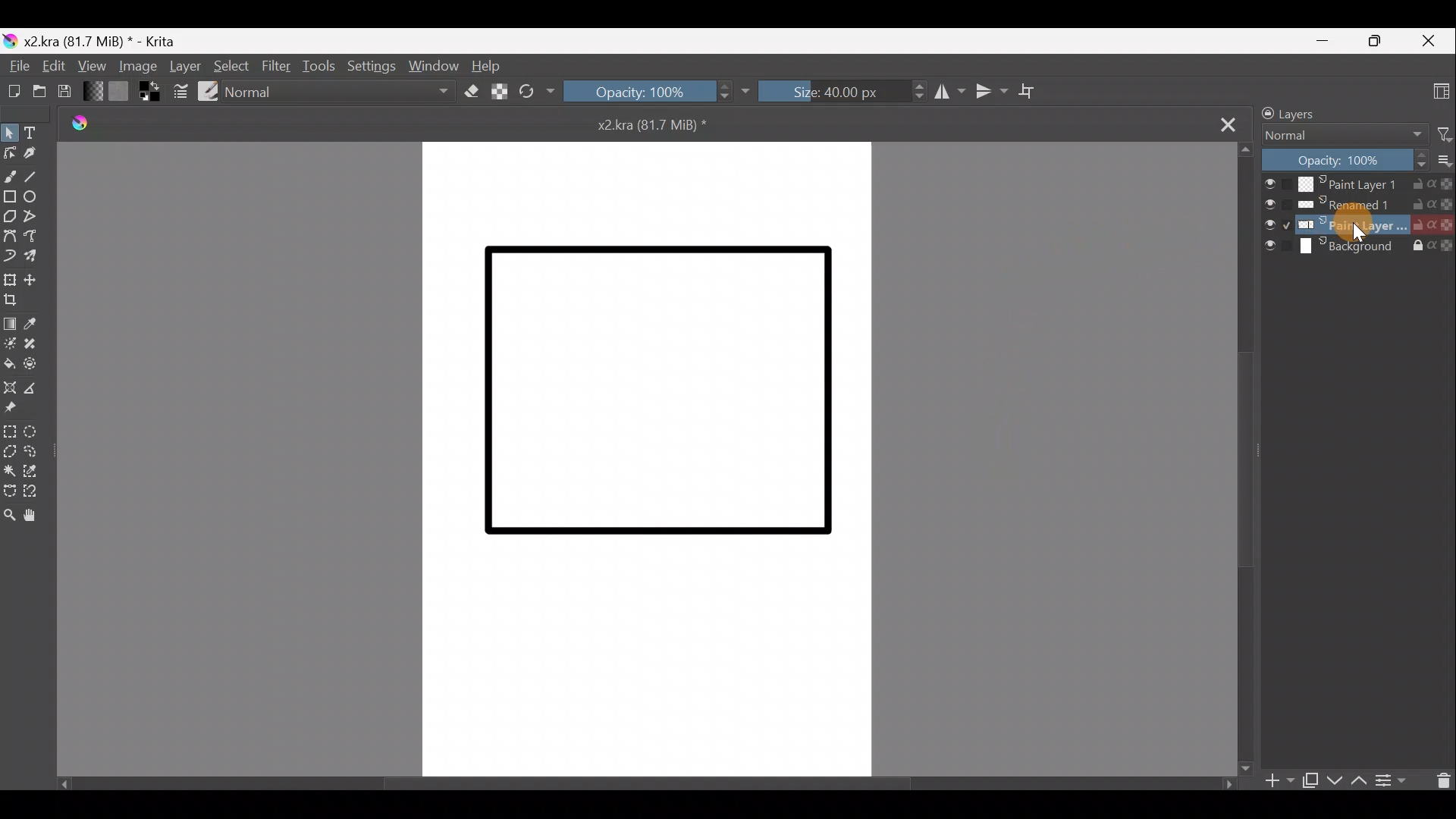 The width and height of the screenshot is (1456, 819). What do you see at coordinates (1429, 90) in the screenshot?
I see `Choose workspace` at bounding box center [1429, 90].